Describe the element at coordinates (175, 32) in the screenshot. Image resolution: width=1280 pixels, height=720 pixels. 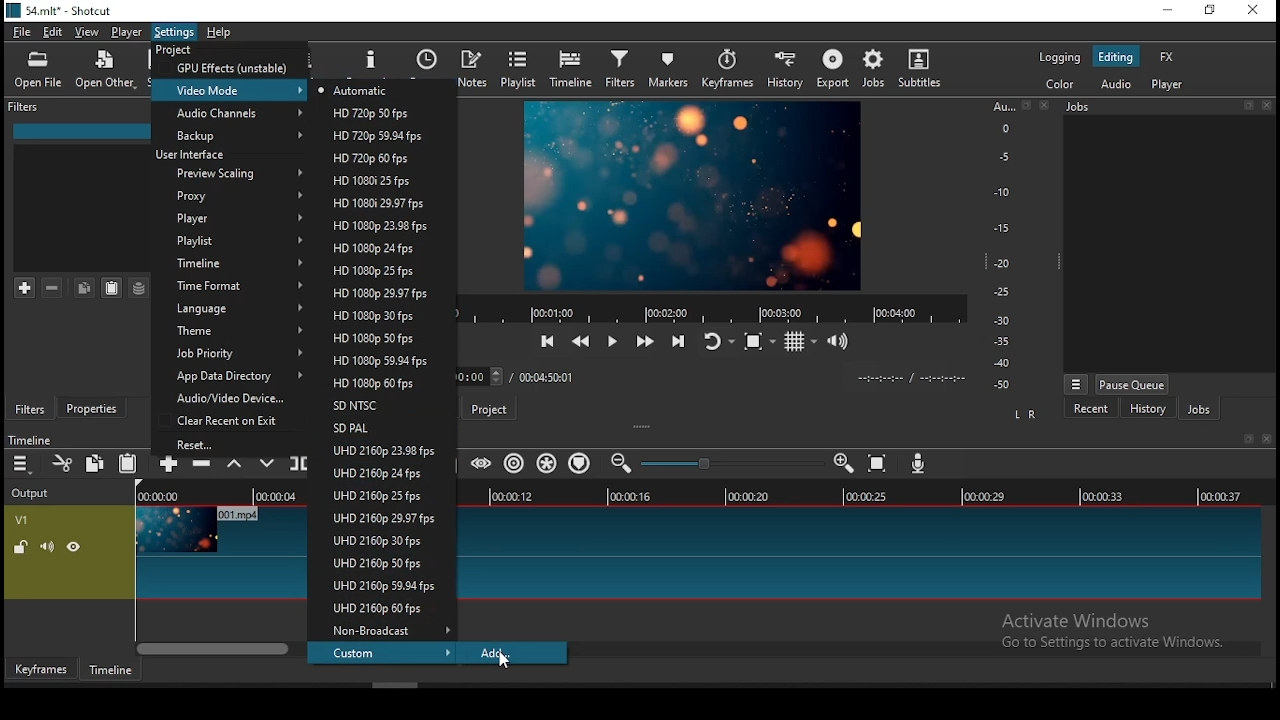
I see `settings` at that location.